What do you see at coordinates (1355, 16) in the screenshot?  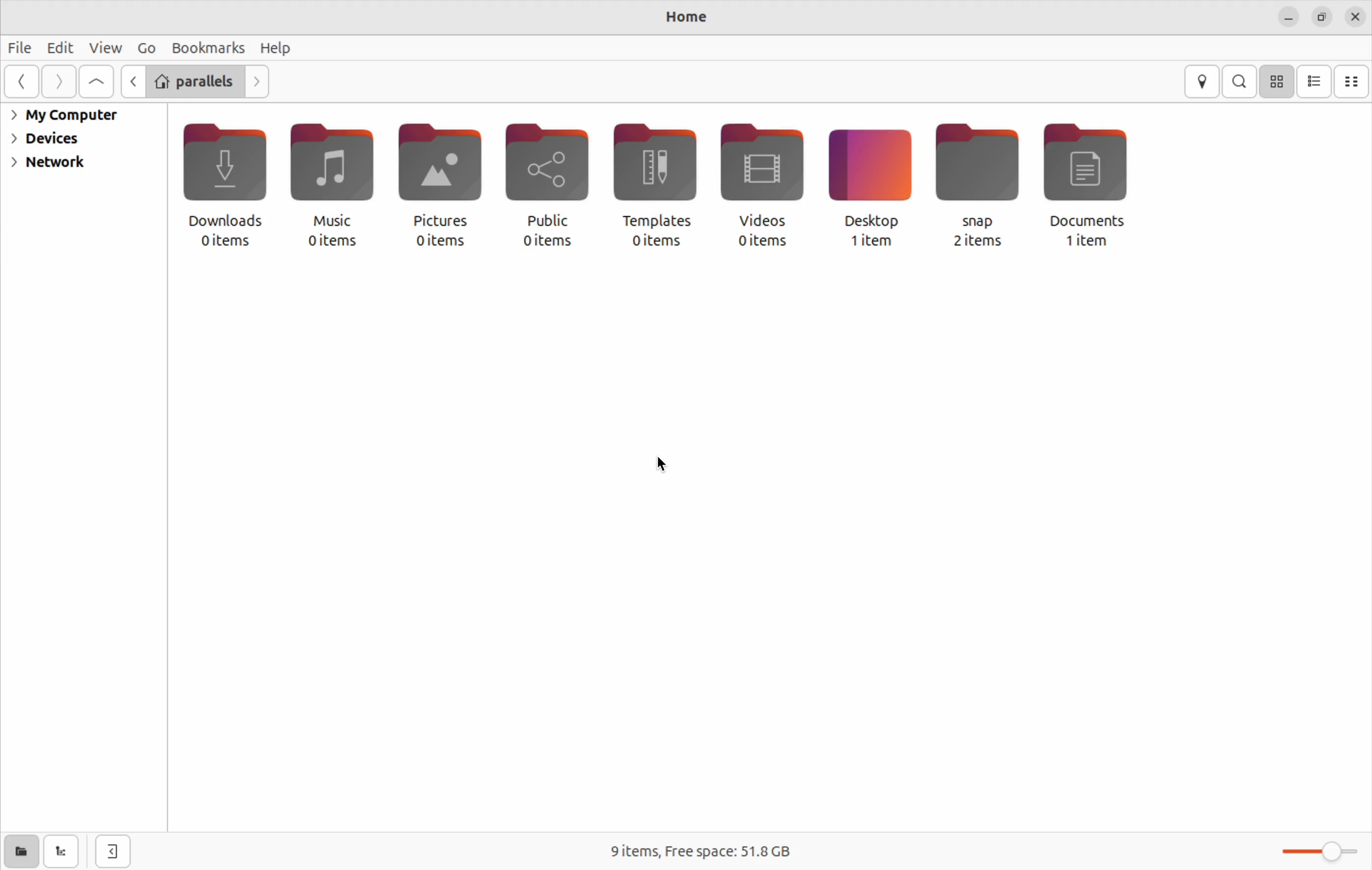 I see `close` at bounding box center [1355, 16].